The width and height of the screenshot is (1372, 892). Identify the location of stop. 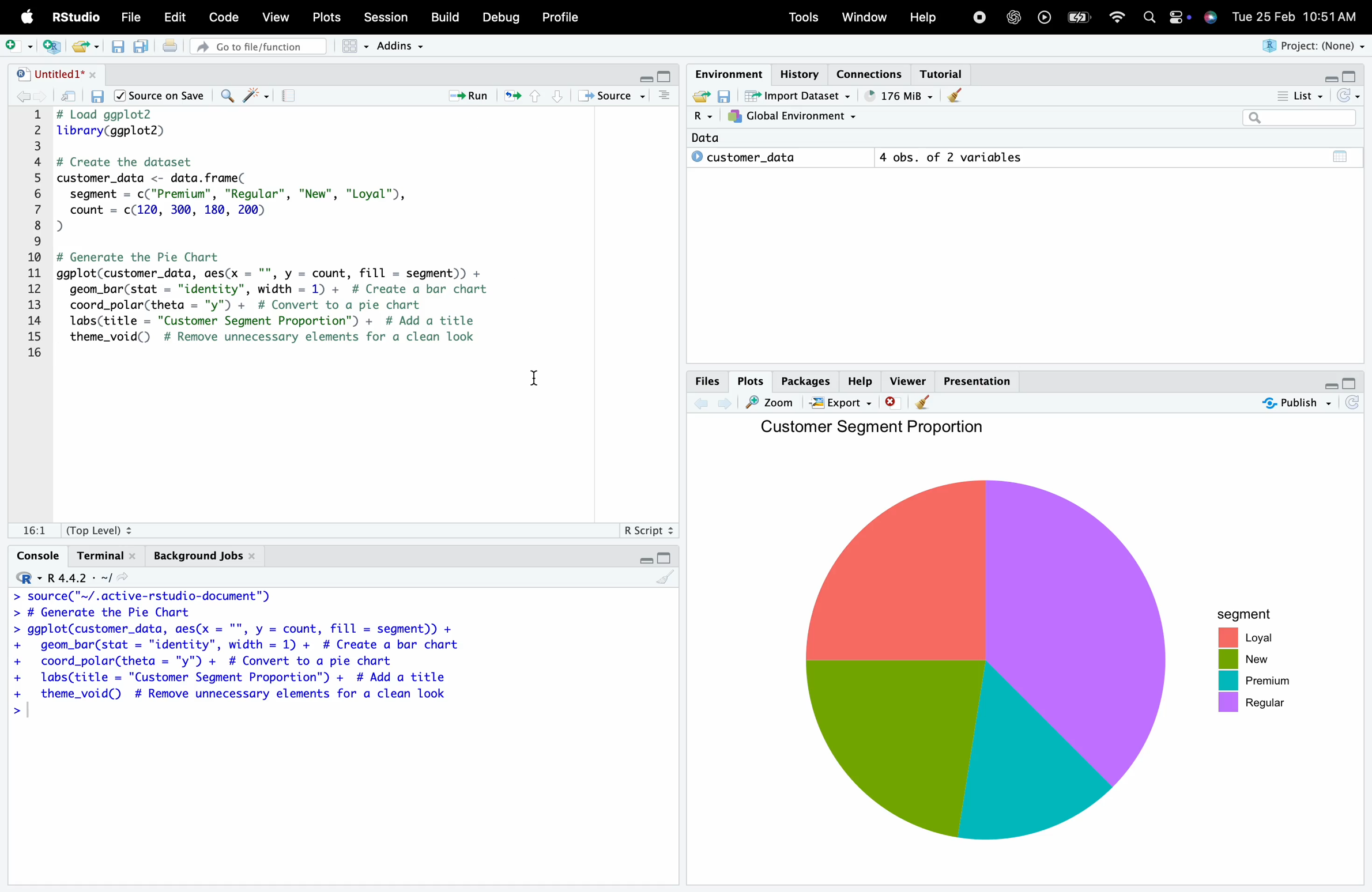
(979, 16).